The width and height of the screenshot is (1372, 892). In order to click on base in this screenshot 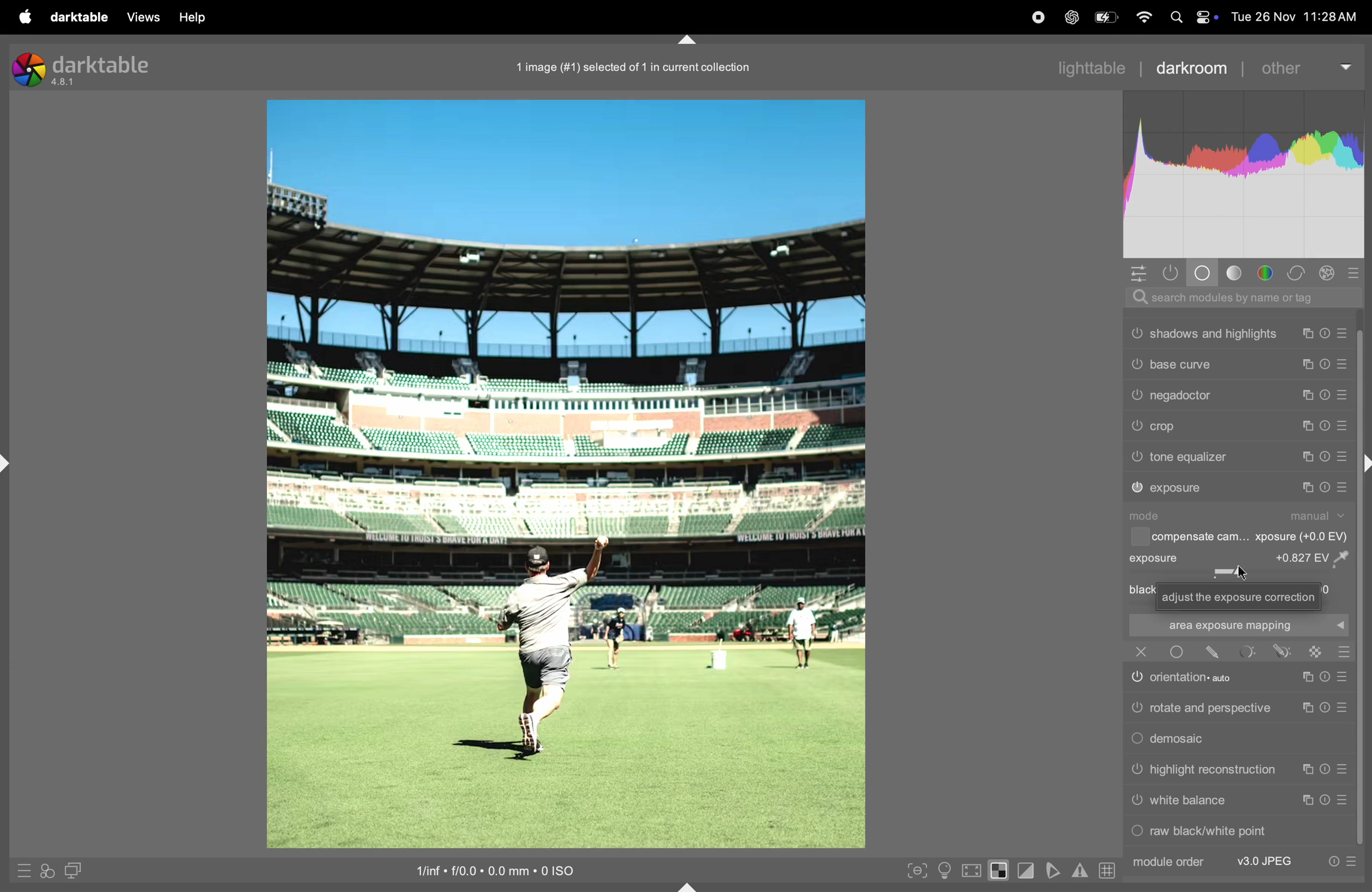, I will do `click(1204, 273)`.